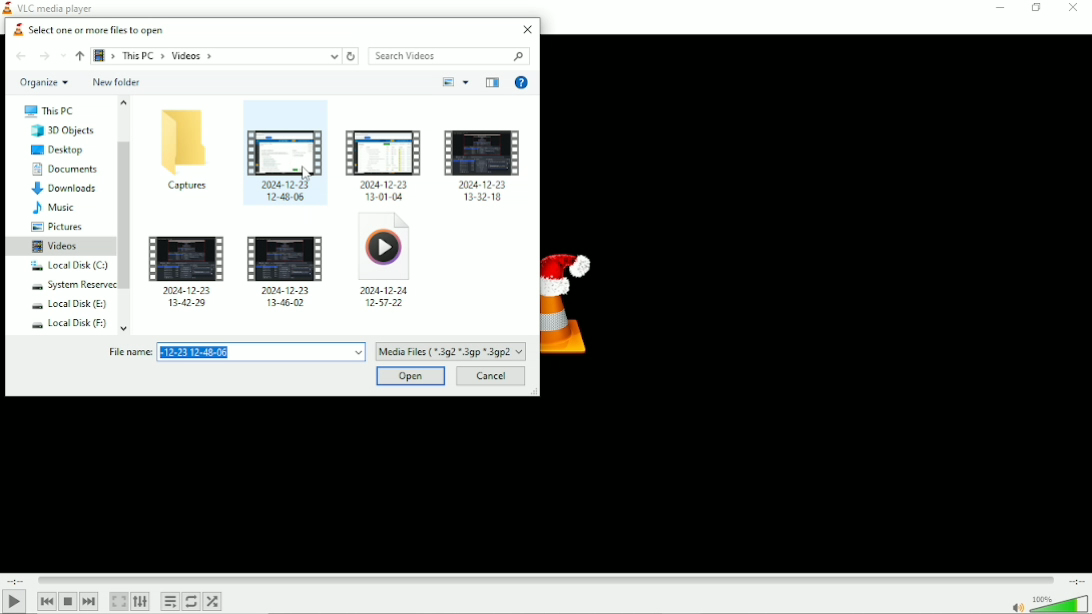 The height and width of the screenshot is (614, 1092). I want to click on Refresh, so click(352, 56).